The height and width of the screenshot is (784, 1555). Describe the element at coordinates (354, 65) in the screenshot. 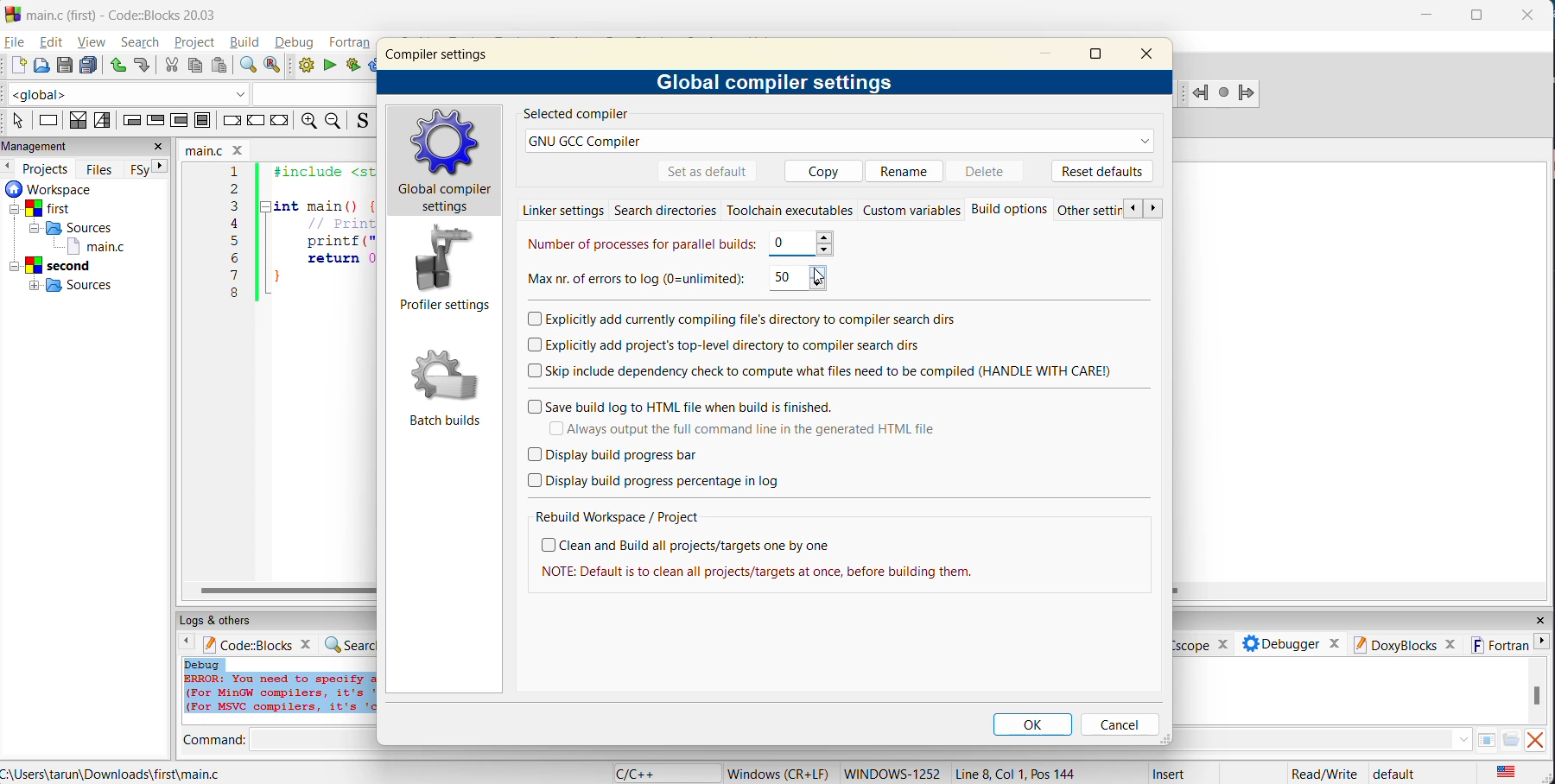

I see `build and run` at that location.